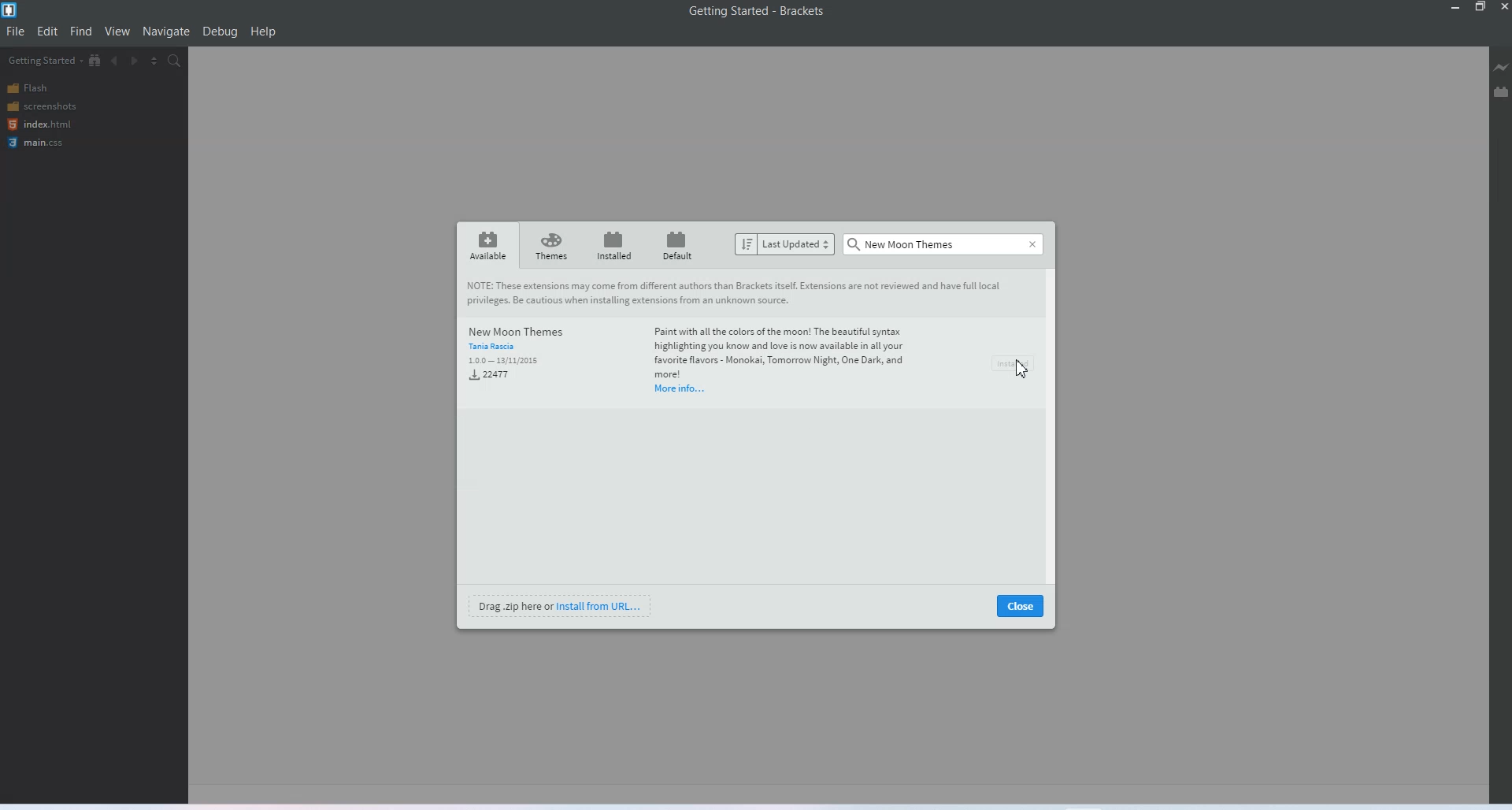 The height and width of the screenshot is (810, 1512). Describe the element at coordinates (48, 31) in the screenshot. I see `Edit` at that location.